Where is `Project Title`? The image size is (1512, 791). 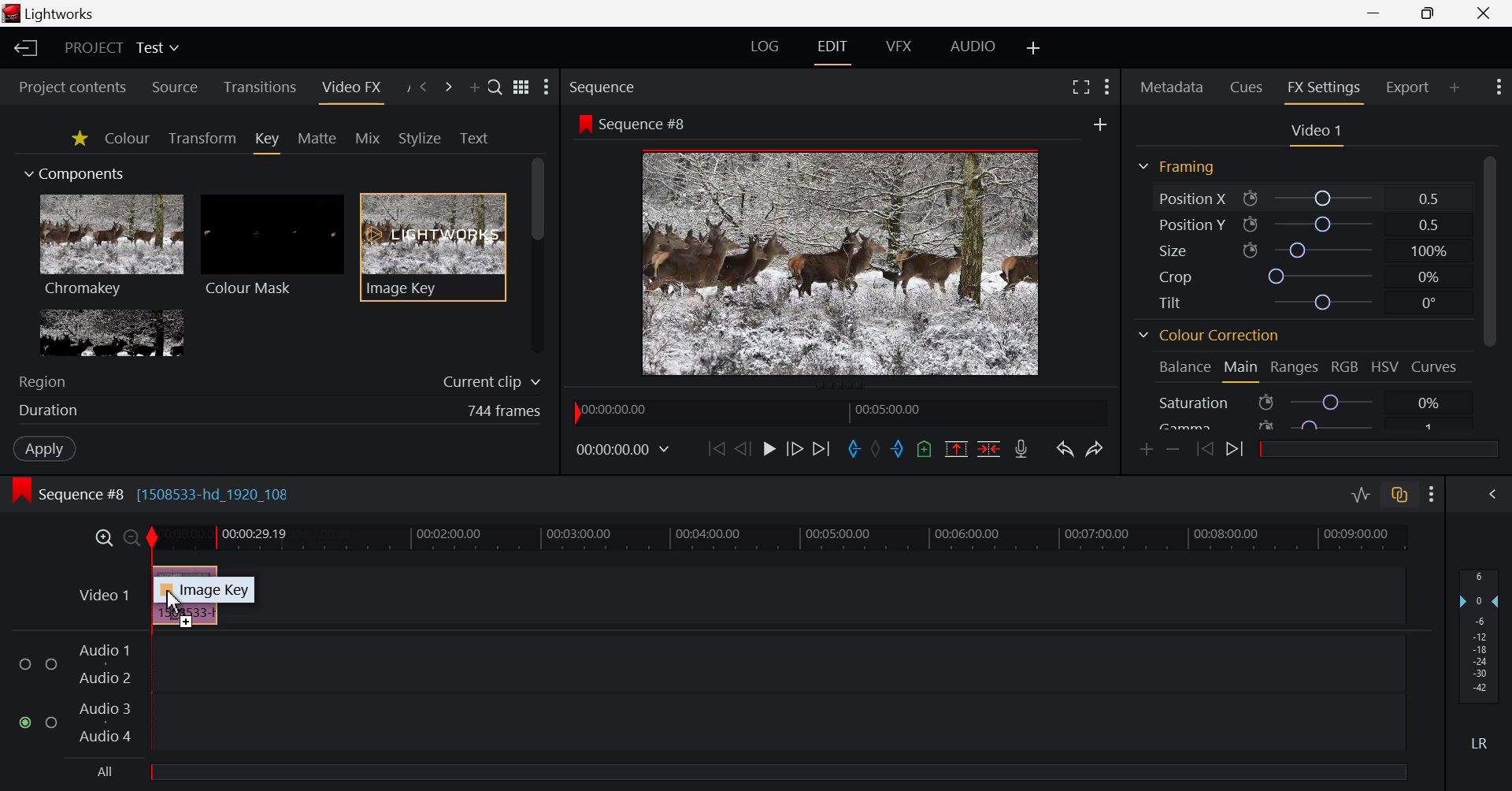
Project Title is located at coordinates (121, 47).